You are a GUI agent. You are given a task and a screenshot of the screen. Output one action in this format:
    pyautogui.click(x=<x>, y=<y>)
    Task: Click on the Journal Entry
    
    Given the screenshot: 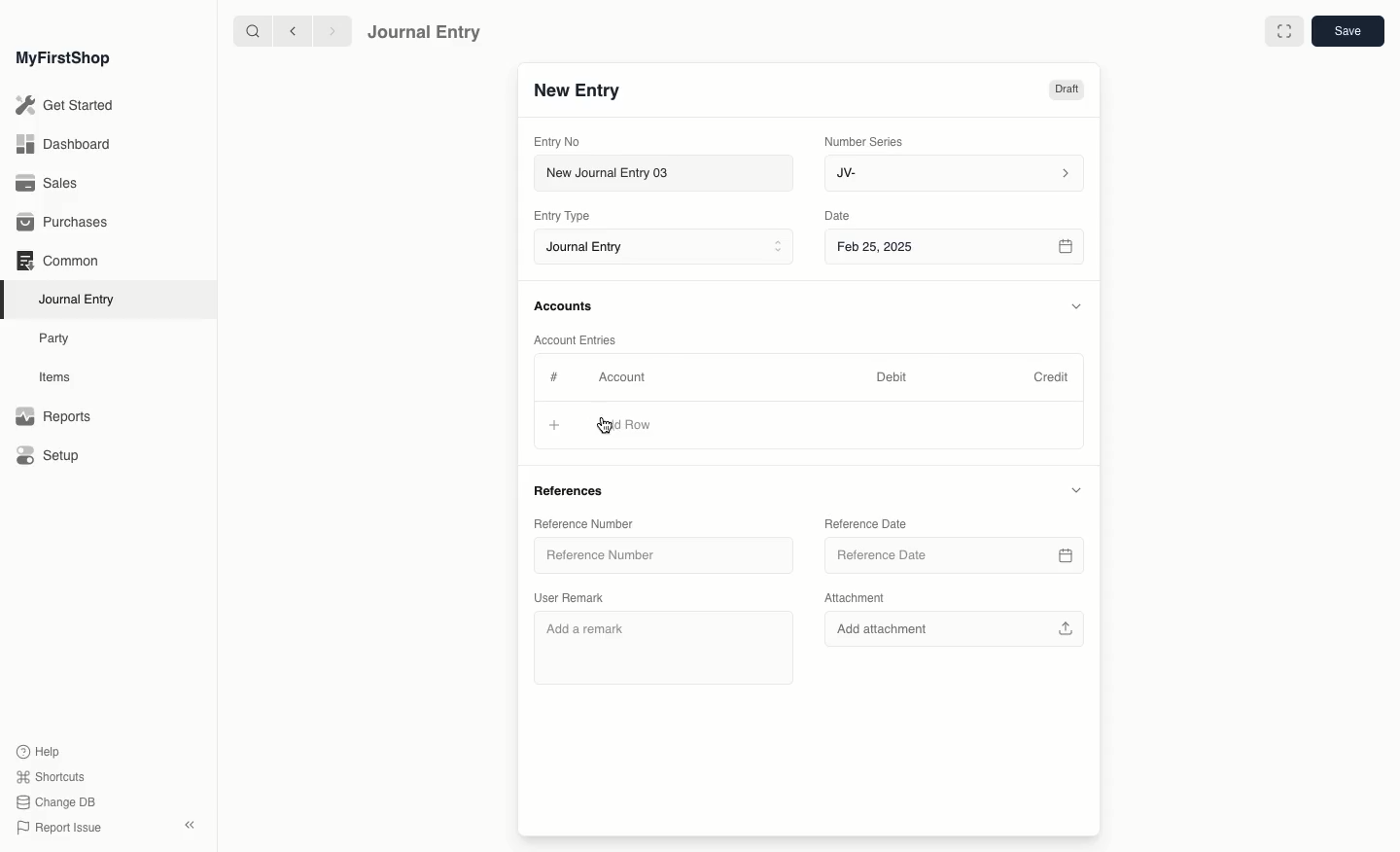 What is the action you would take?
    pyautogui.click(x=425, y=31)
    